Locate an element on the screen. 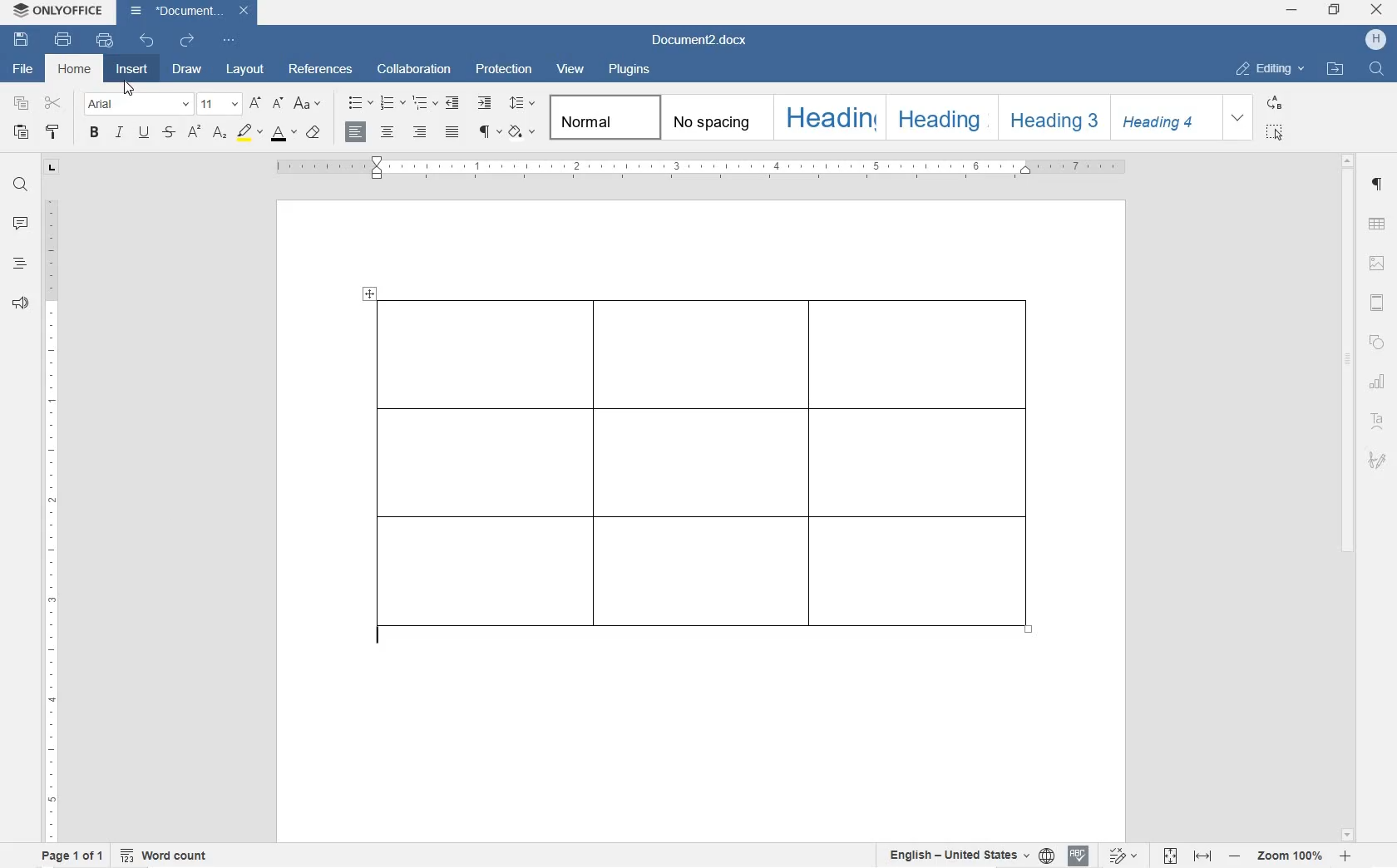  font color is located at coordinates (285, 135).